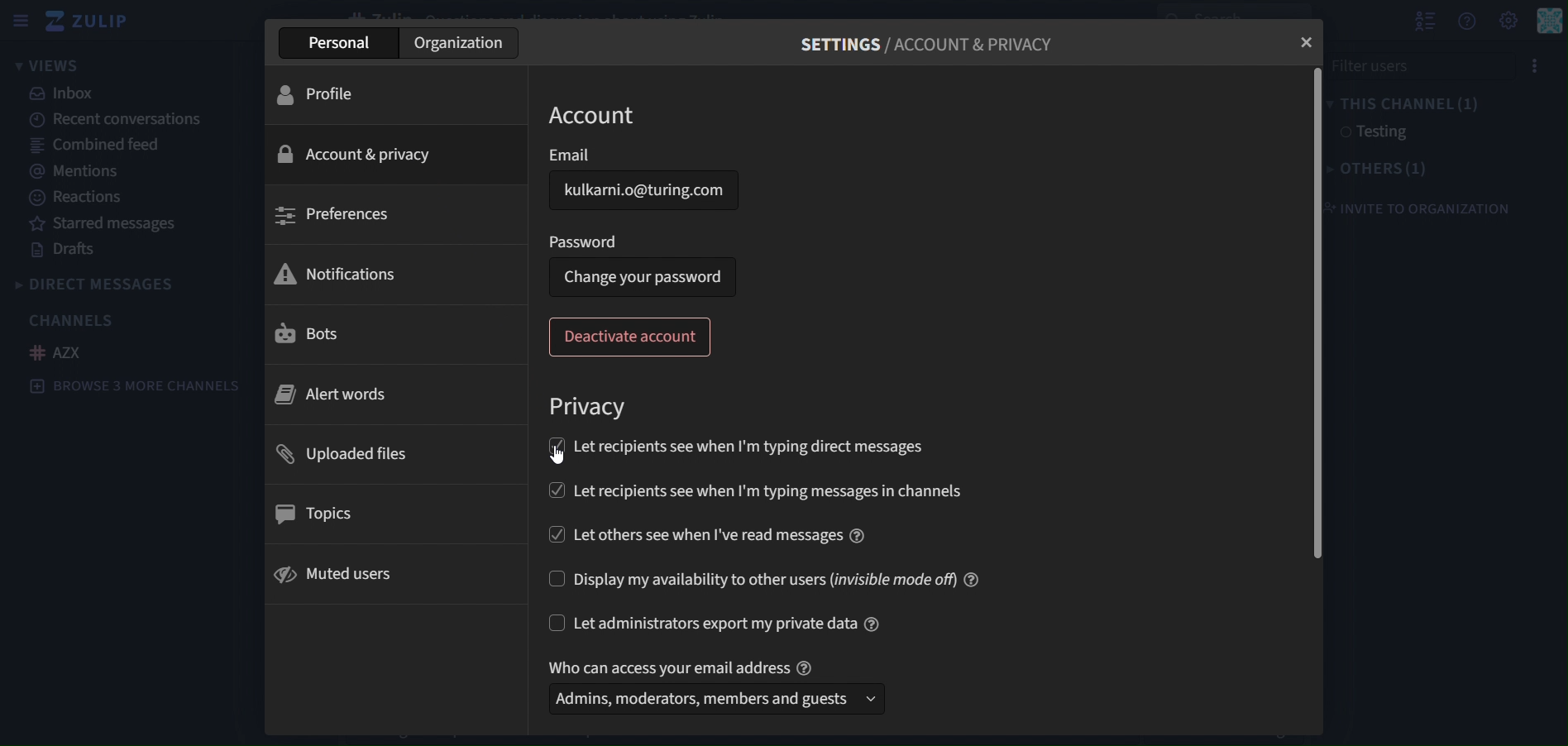 The width and height of the screenshot is (1568, 746). What do you see at coordinates (317, 334) in the screenshot?
I see `bots` at bounding box center [317, 334].